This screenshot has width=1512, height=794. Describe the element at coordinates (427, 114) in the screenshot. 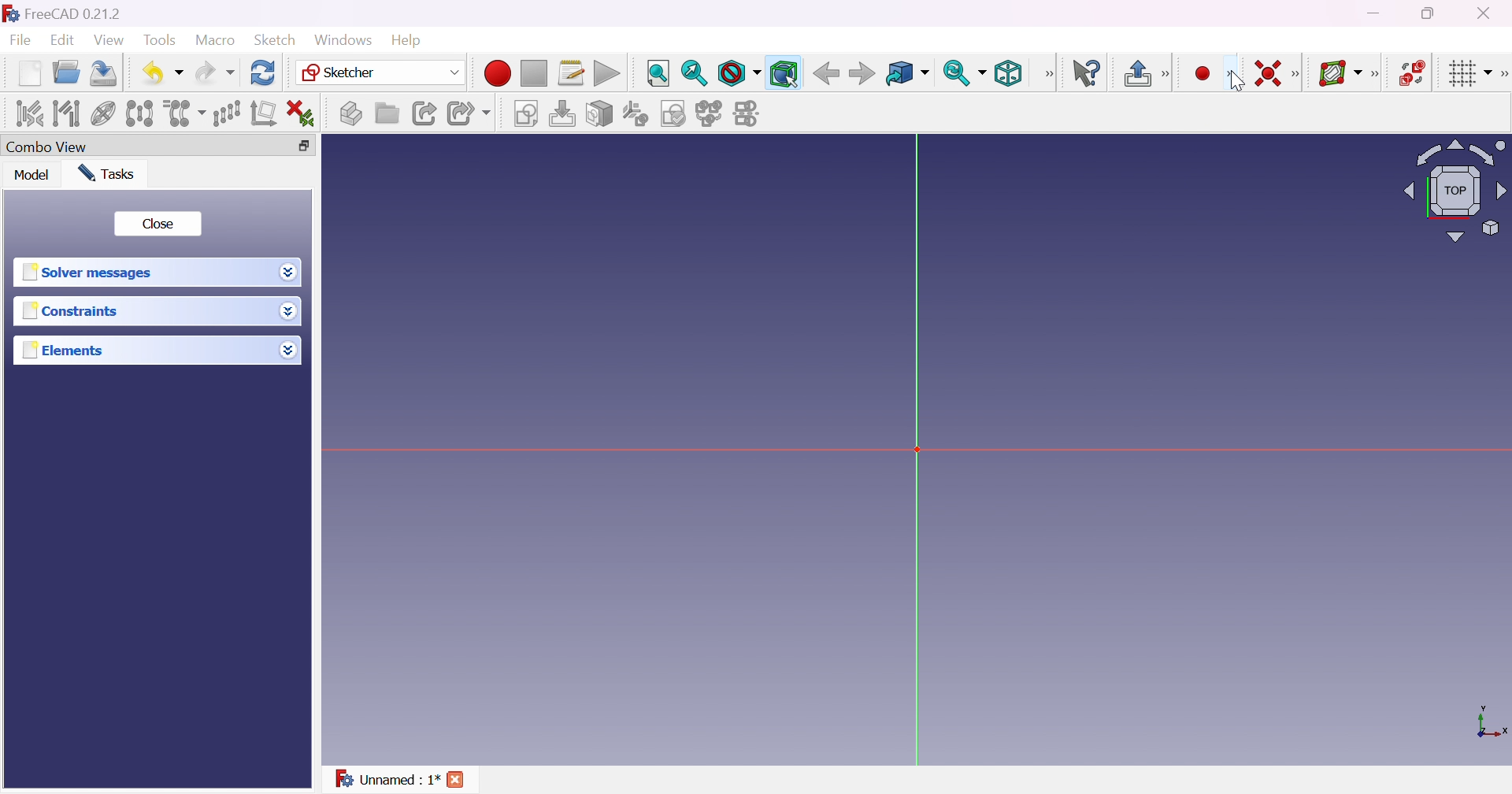

I see `Make link` at that location.